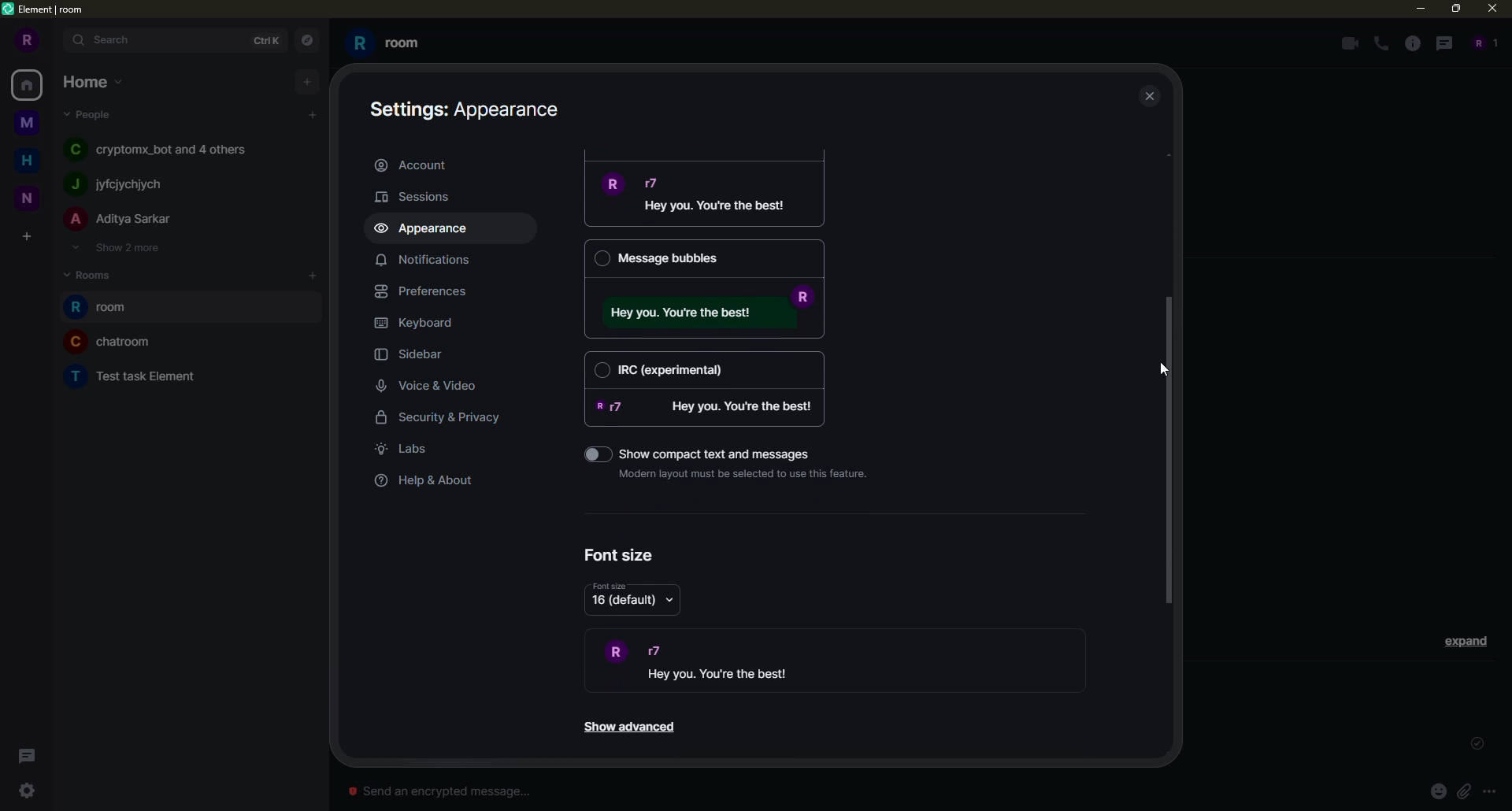  Describe the element at coordinates (112, 39) in the screenshot. I see `search` at that location.